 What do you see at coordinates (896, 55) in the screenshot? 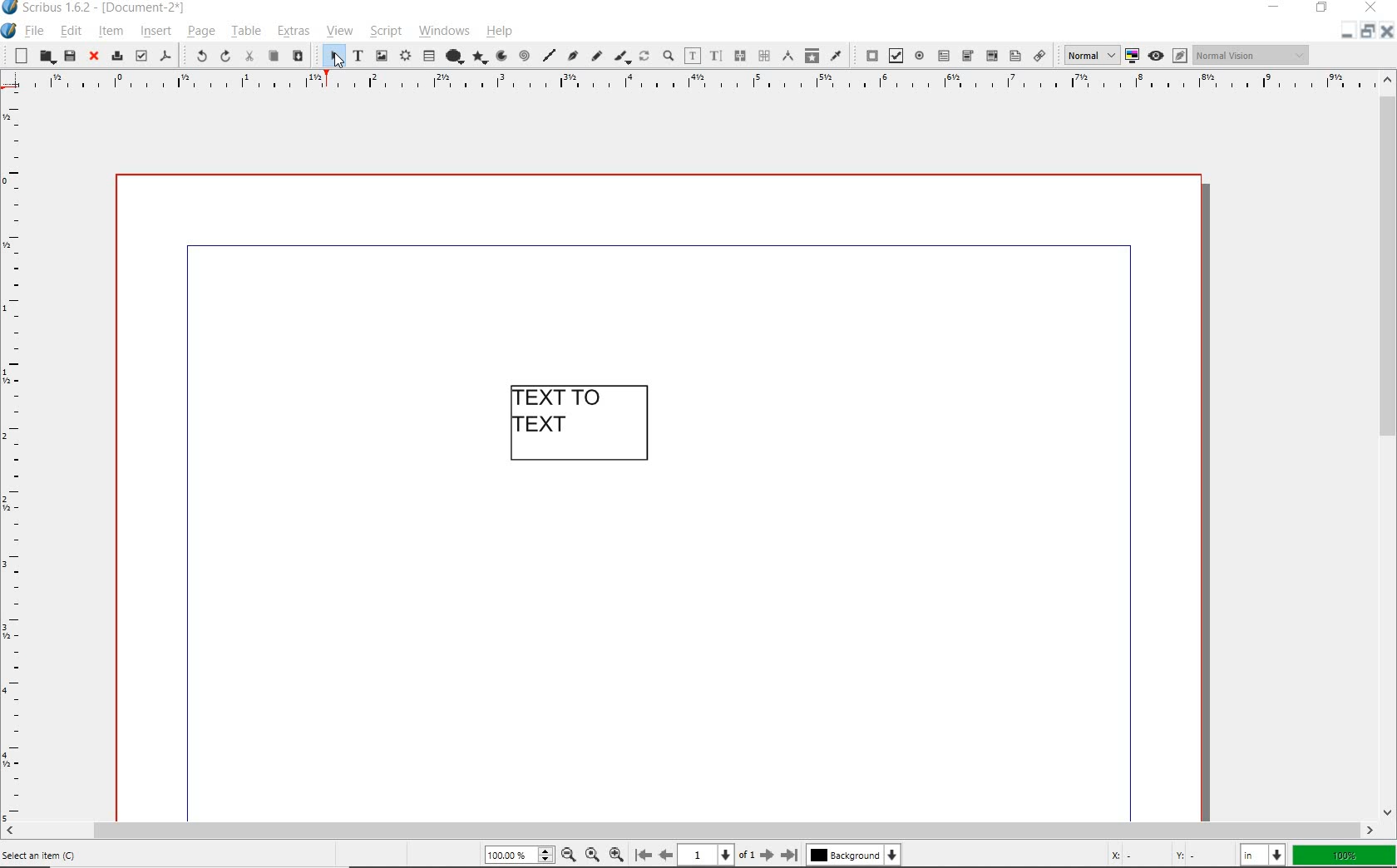
I see `pdf check box` at bounding box center [896, 55].